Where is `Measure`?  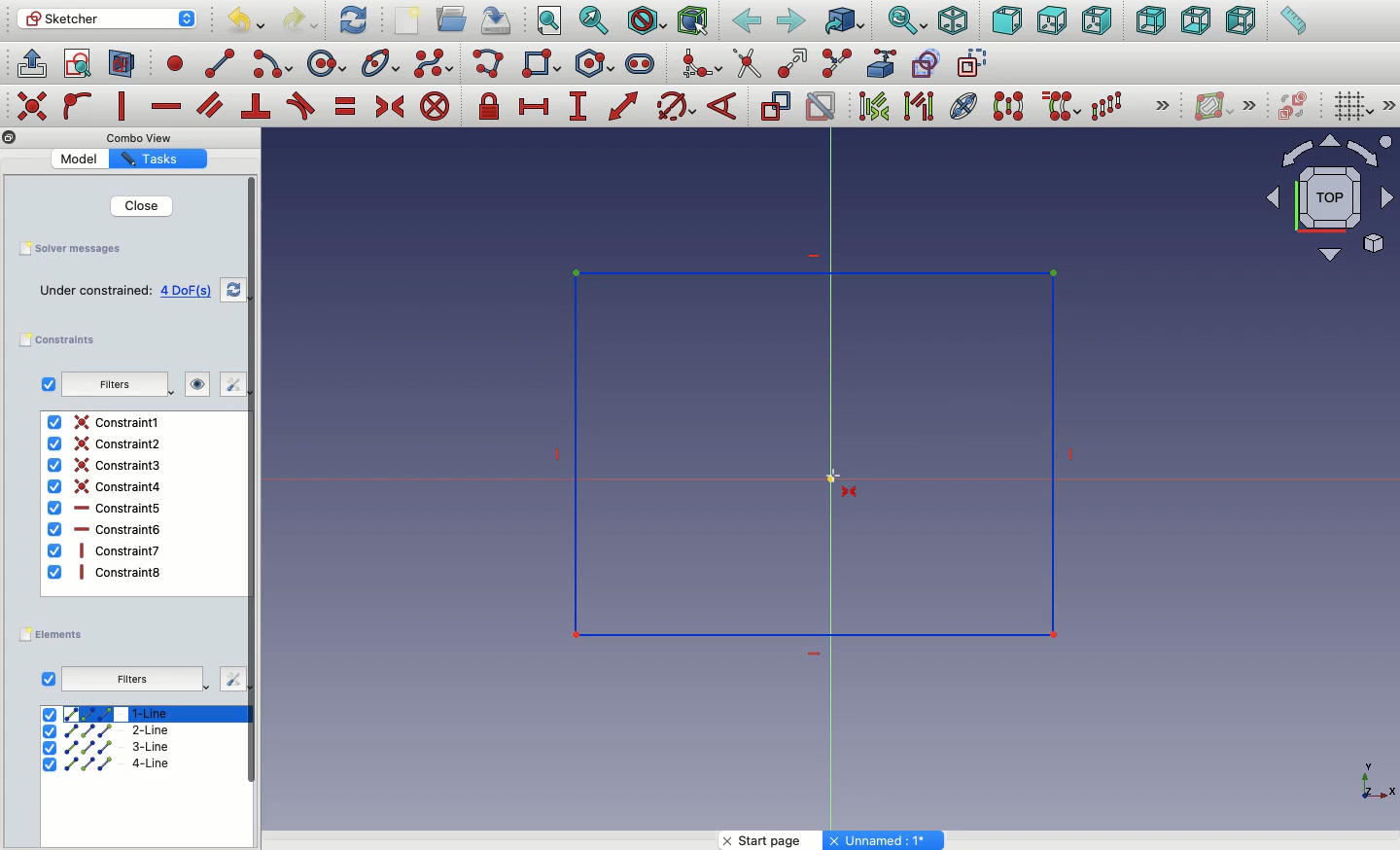
Measure is located at coordinates (1292, 22).